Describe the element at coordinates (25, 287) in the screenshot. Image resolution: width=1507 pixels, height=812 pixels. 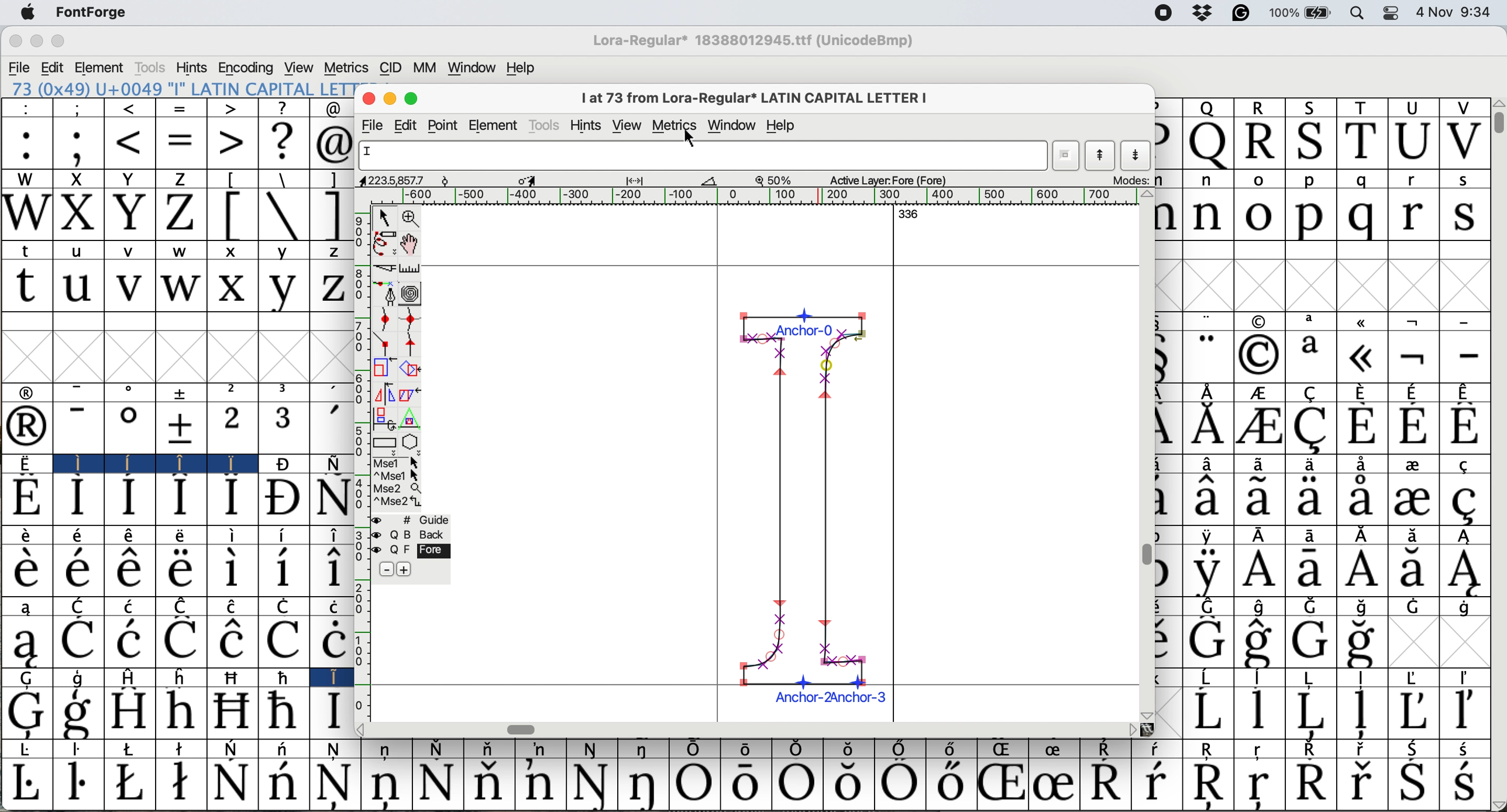
I see `t` at that location.